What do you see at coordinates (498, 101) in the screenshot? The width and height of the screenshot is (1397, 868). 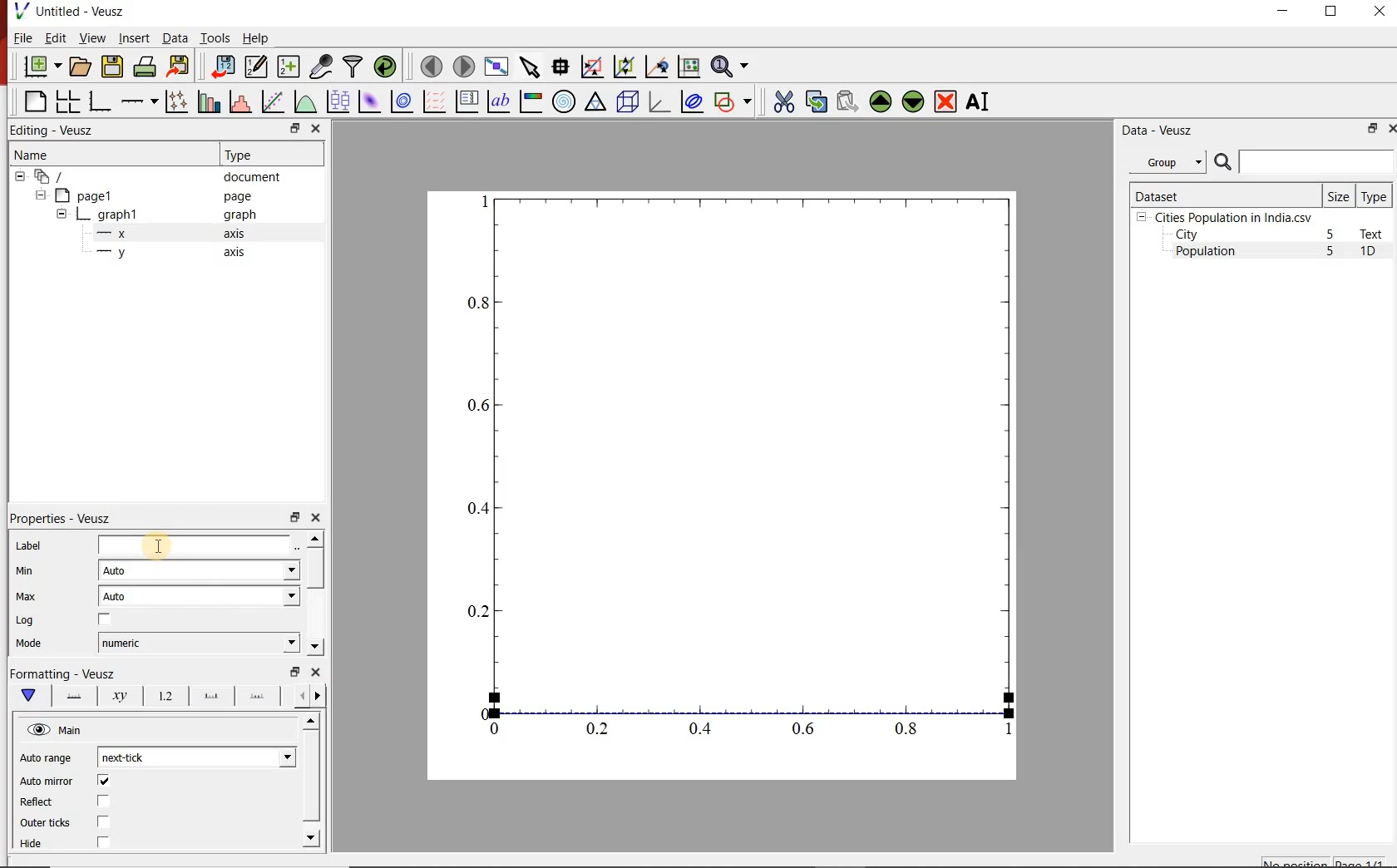 I see `text label` at bounding box center [498, 101].